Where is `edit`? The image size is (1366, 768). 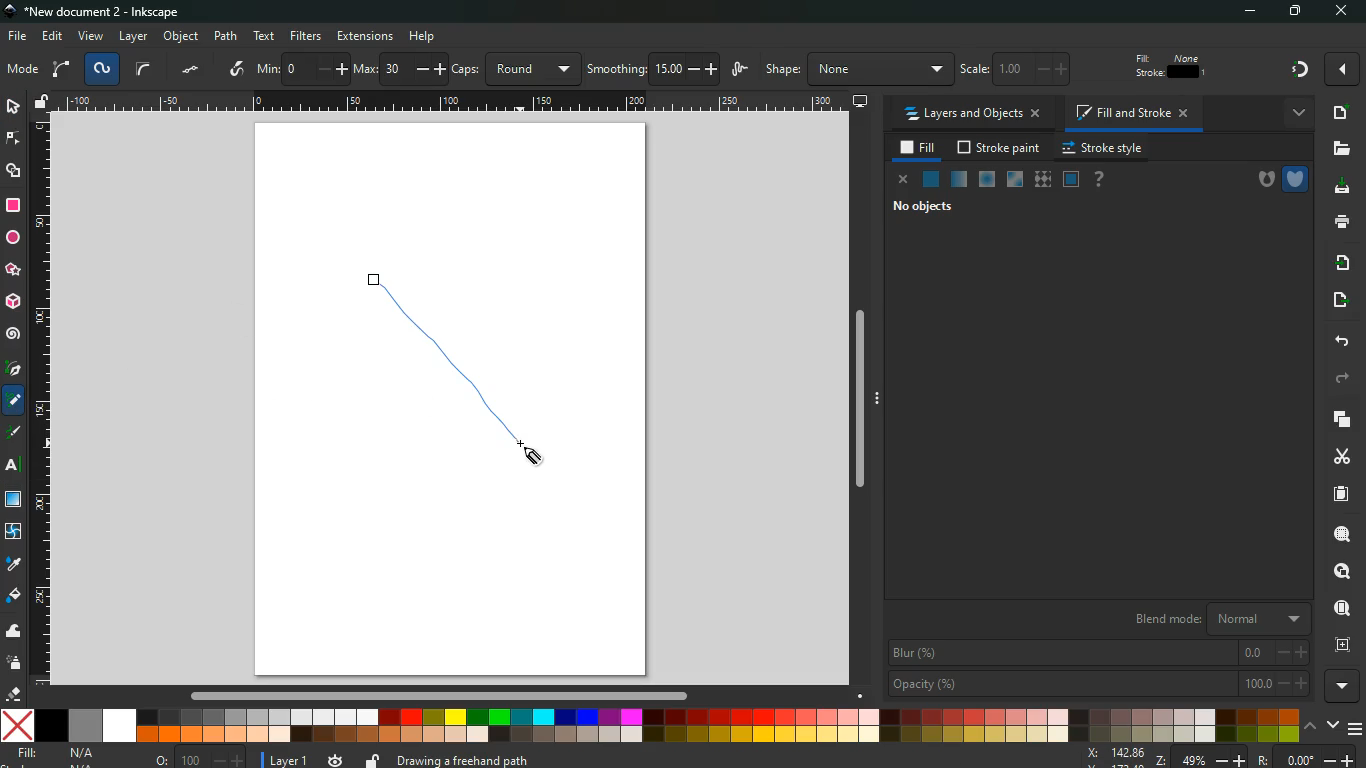
edit is located at coordinates (54, 35).